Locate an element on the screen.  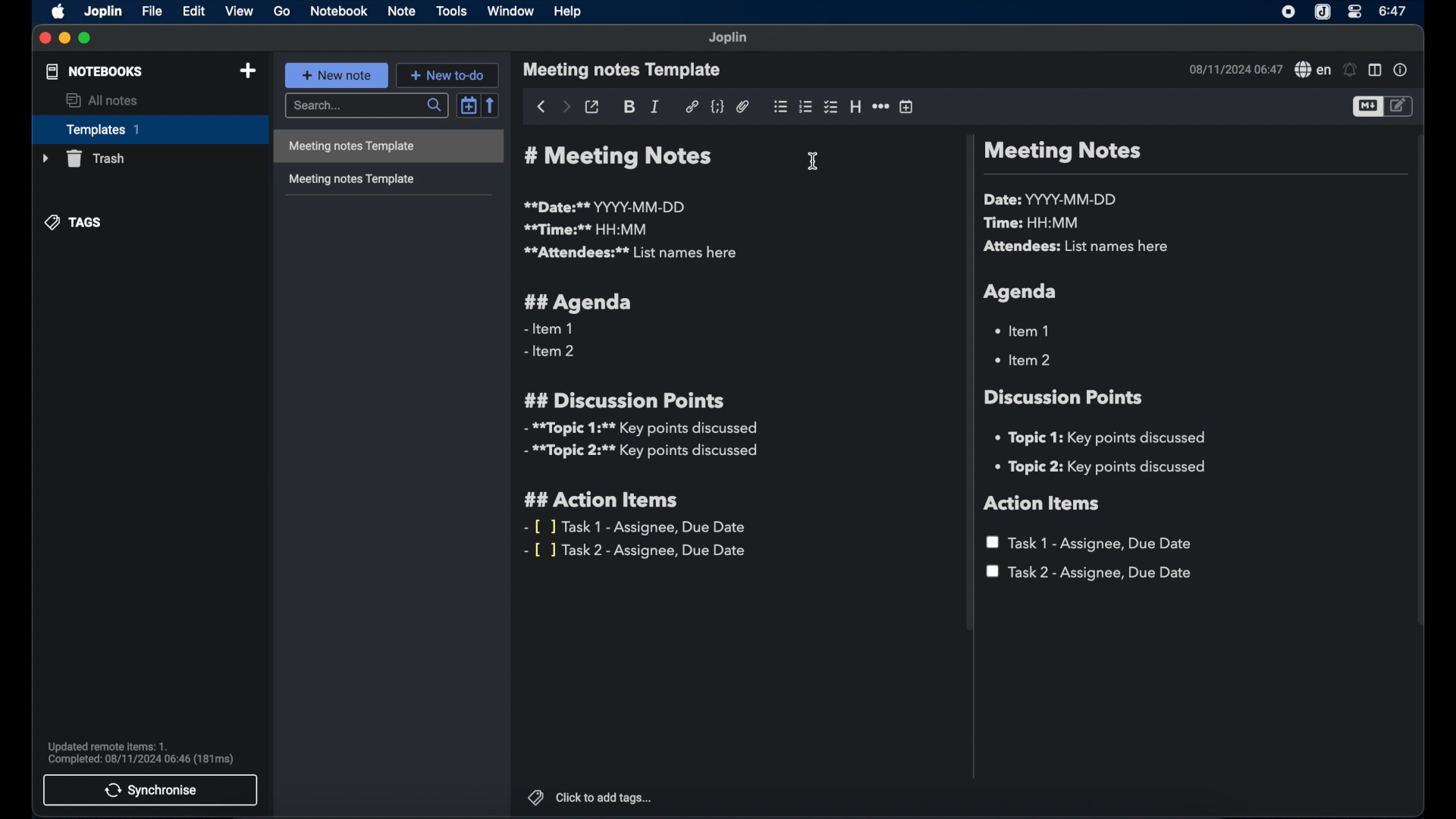
date: YYYY-MM-DD is located at coordinates (1053, 199).